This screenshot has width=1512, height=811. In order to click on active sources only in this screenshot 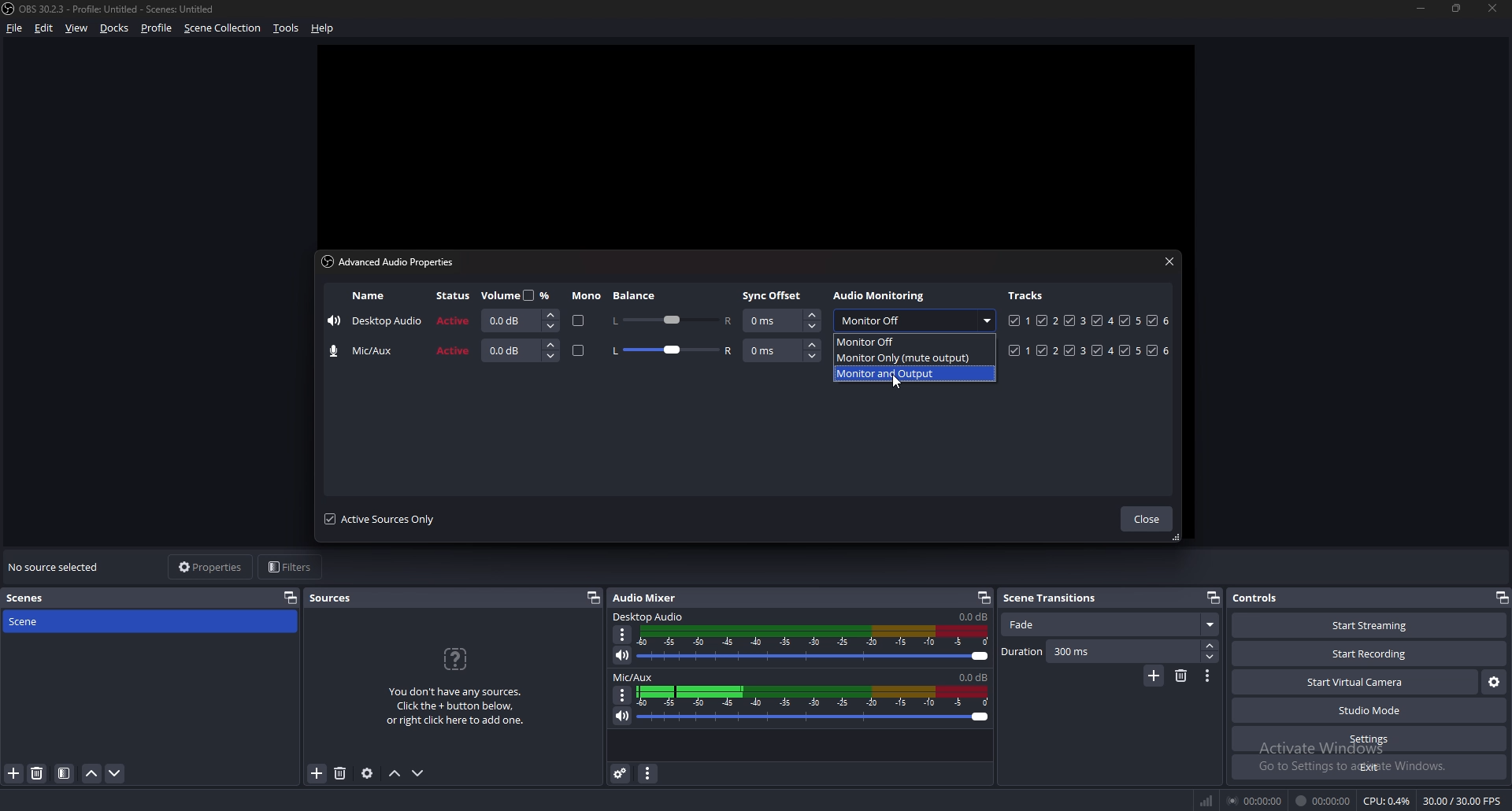, I will do `click(380, 519)`.